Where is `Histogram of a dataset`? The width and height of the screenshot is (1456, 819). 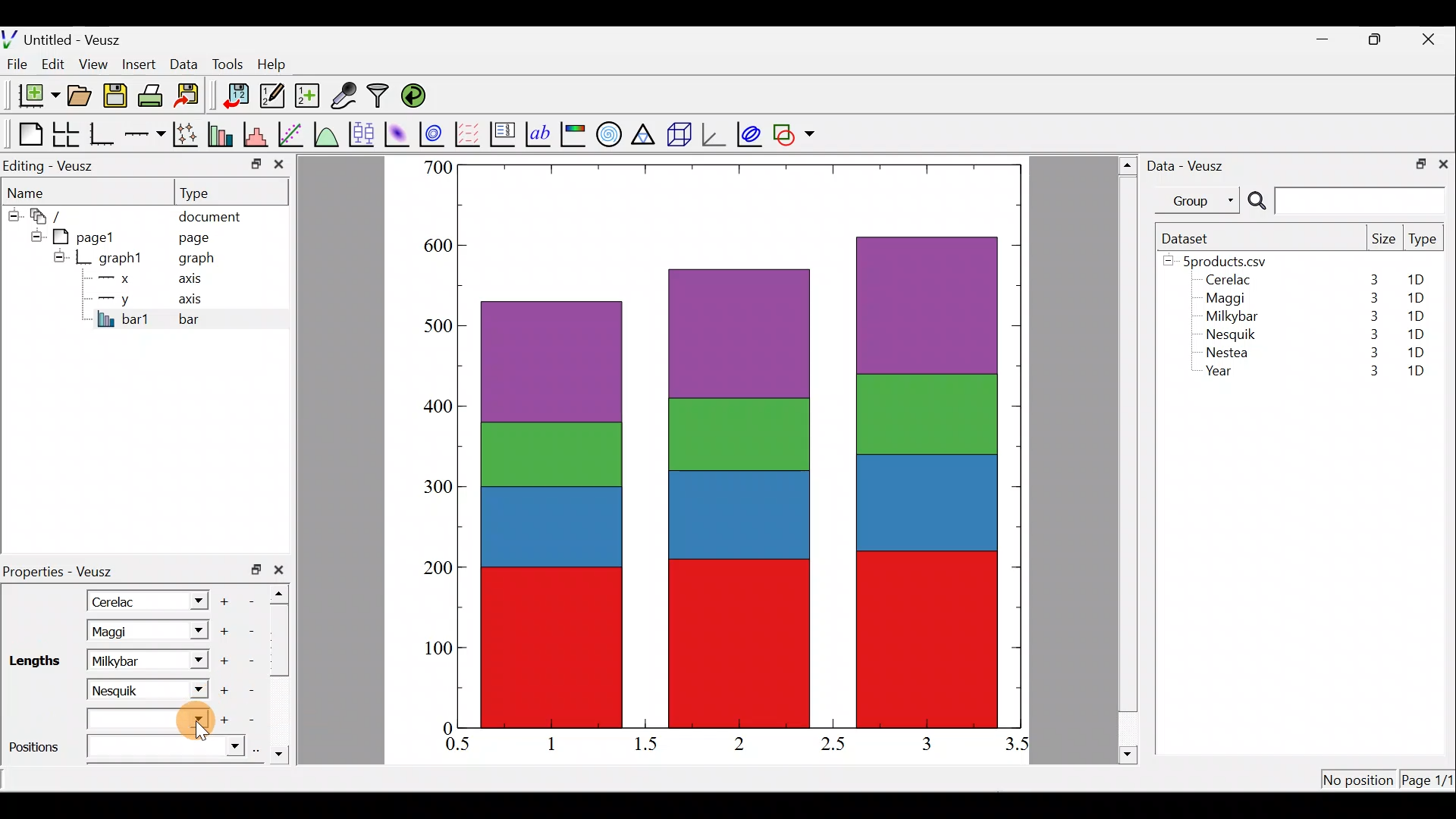
Histogram of a dataset is located at coordinates (260, 135).